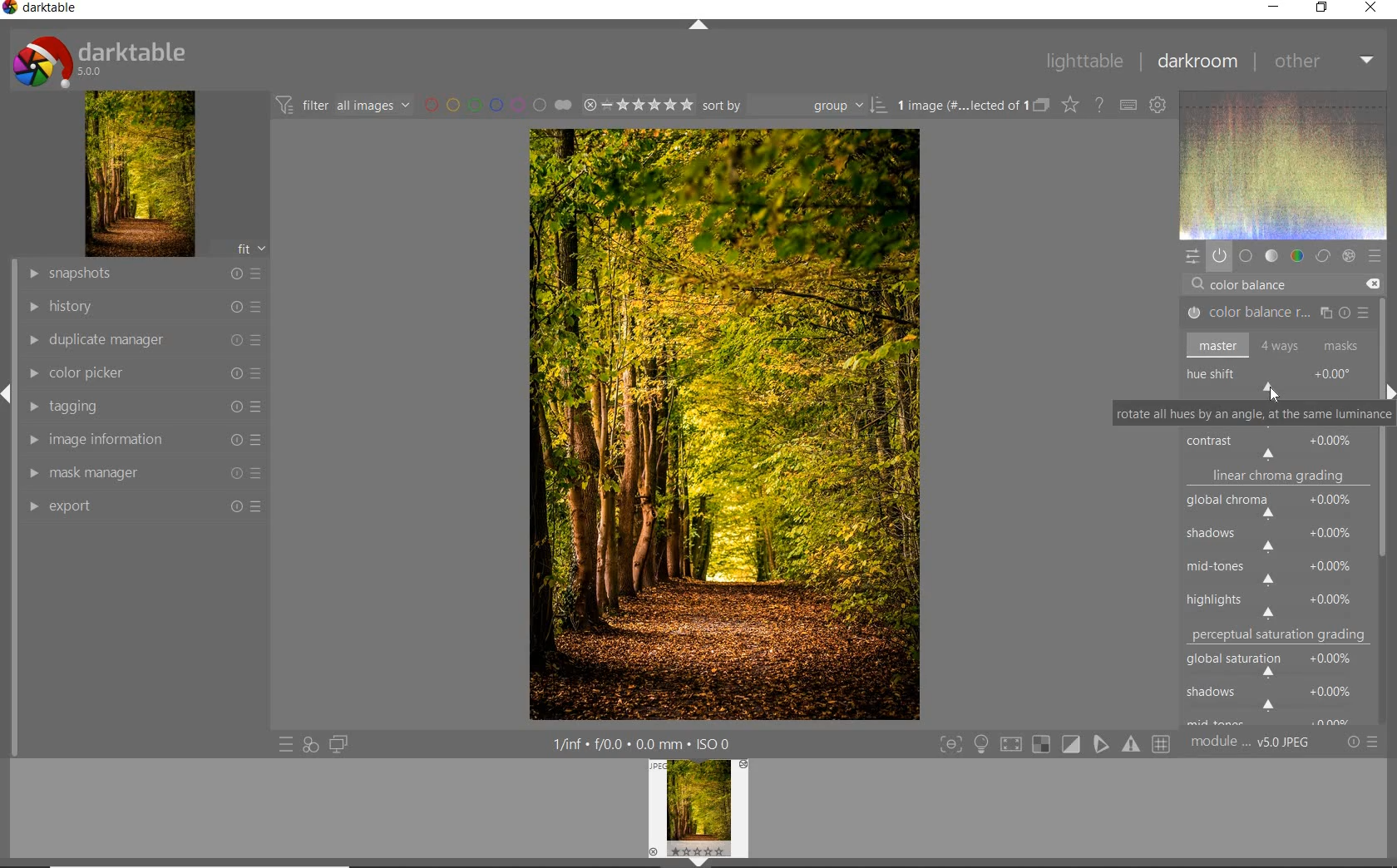  What do you see at coordinates (1320, 9) in the screenshot?
I see `restore` at bounding box center [1320, 9].